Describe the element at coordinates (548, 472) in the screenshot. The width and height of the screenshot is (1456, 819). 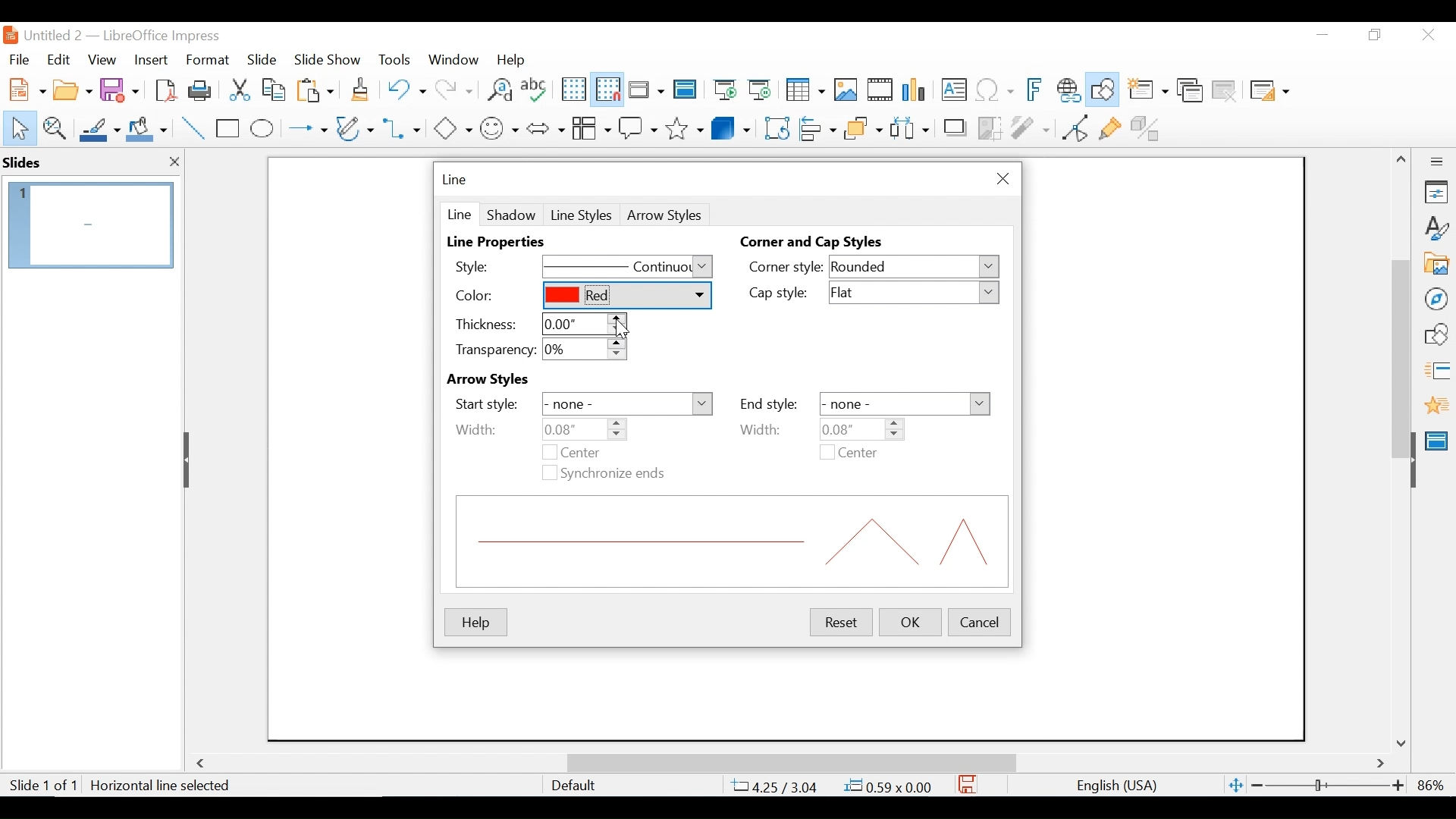
I see `checkbox` at that location.